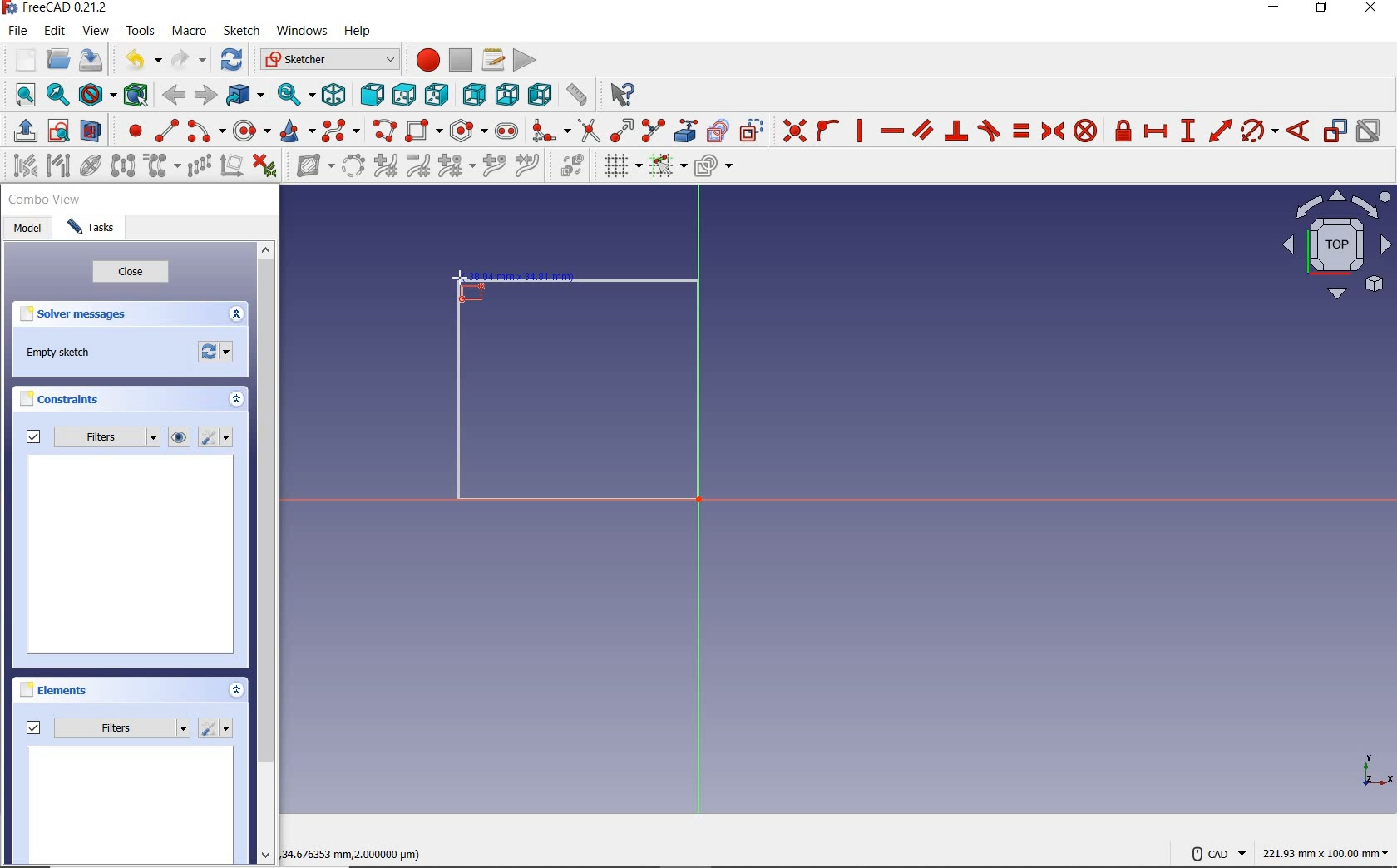 The width and height of the screenshot is (1397, 868). What do you see at coordinates (1123, 131) in the screenshot?
I see `constrain lock` at bounding box center [1123, 131].